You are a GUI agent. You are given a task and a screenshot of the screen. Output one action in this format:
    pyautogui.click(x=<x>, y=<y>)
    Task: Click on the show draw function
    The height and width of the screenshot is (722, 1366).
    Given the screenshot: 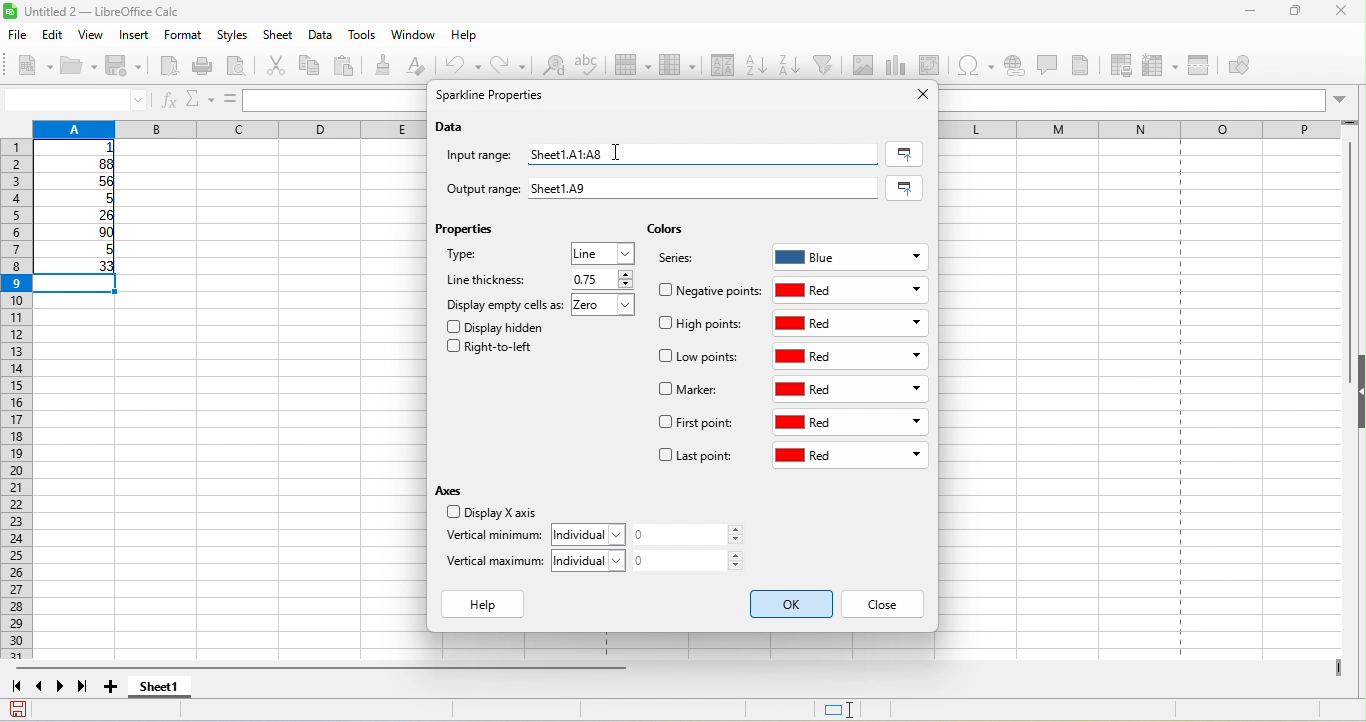 What is the action you would take?
    pyautogui.click(x=1255, y=67)
    